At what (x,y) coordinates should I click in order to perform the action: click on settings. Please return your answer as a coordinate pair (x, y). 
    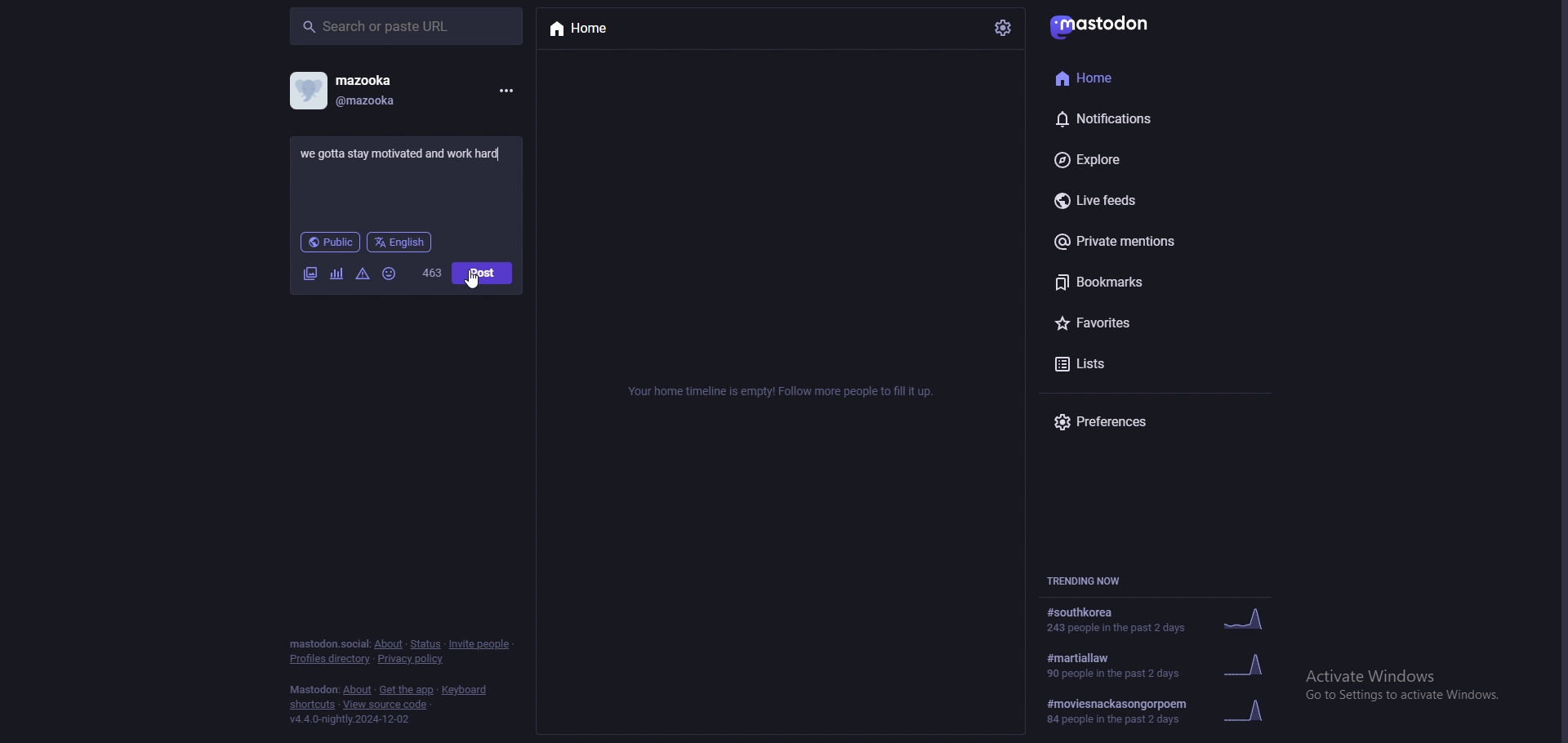
    Looking at the image, I should click on (1001, 29).